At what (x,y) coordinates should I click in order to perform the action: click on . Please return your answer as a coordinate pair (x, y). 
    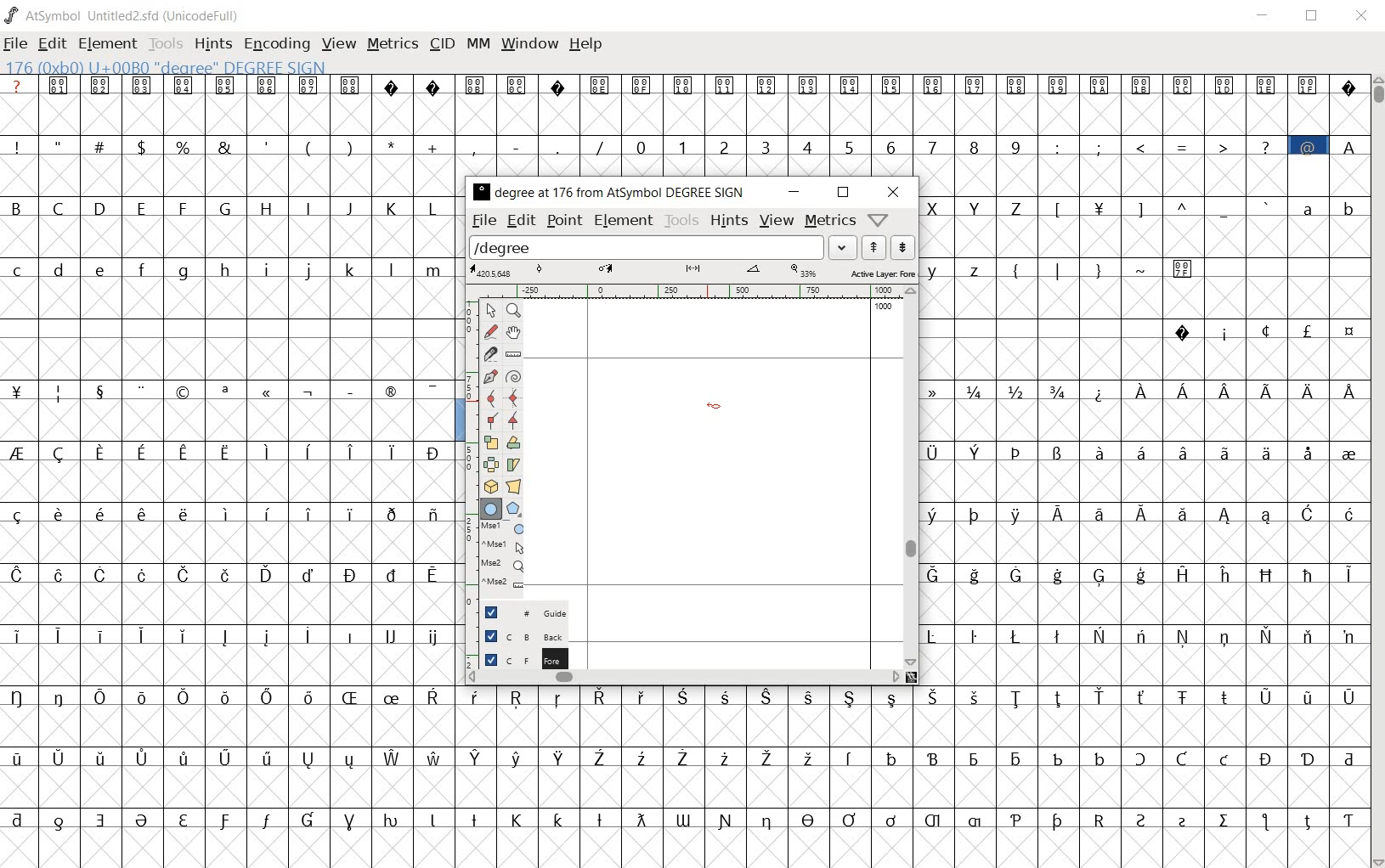
    Looking at the image, I should click on (1148, 481).